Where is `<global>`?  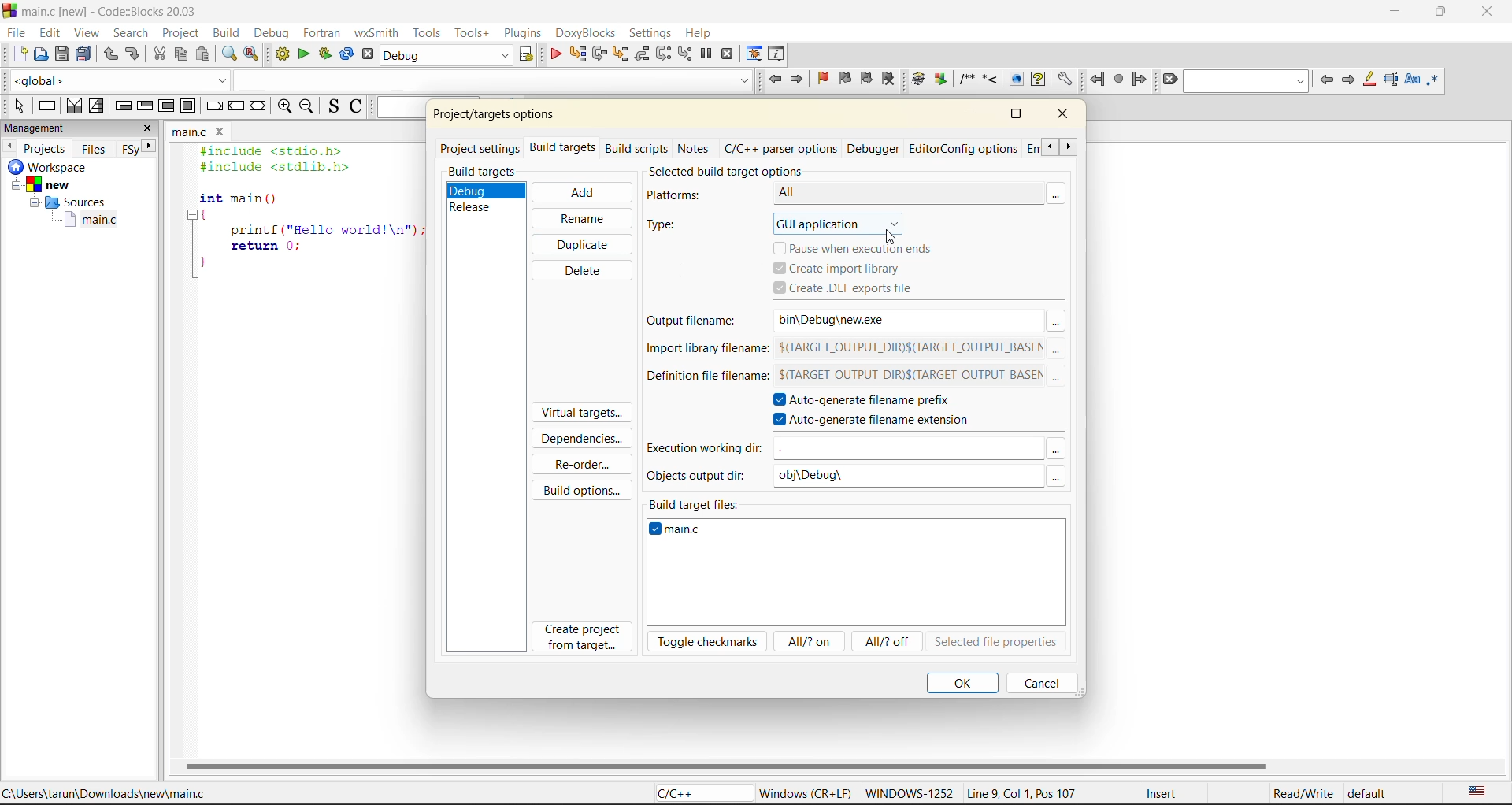 <global> is located at coordinates (120, 79).